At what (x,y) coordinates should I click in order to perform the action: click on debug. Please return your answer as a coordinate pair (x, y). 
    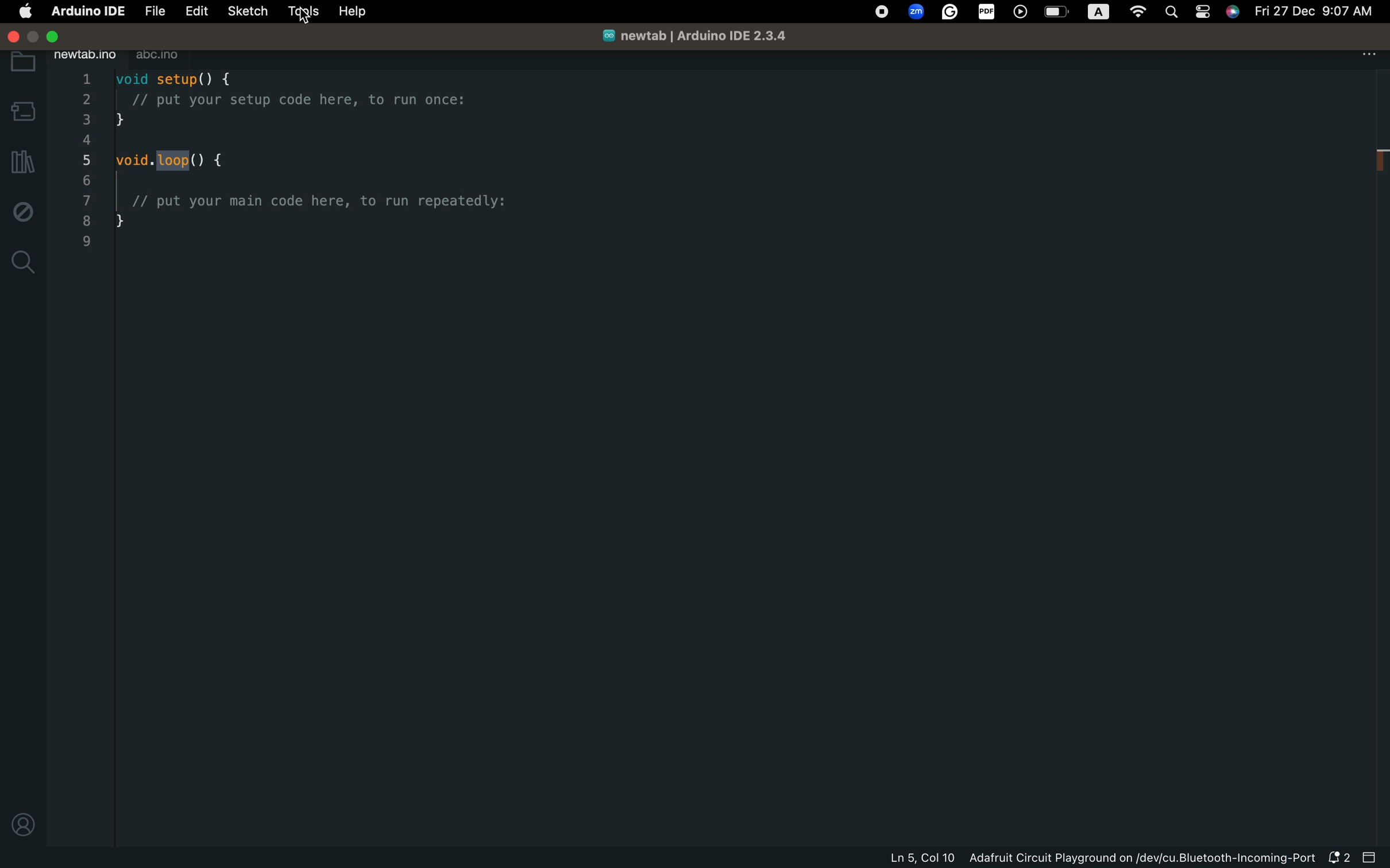
    Looking at the image, I should click on (24, 212).